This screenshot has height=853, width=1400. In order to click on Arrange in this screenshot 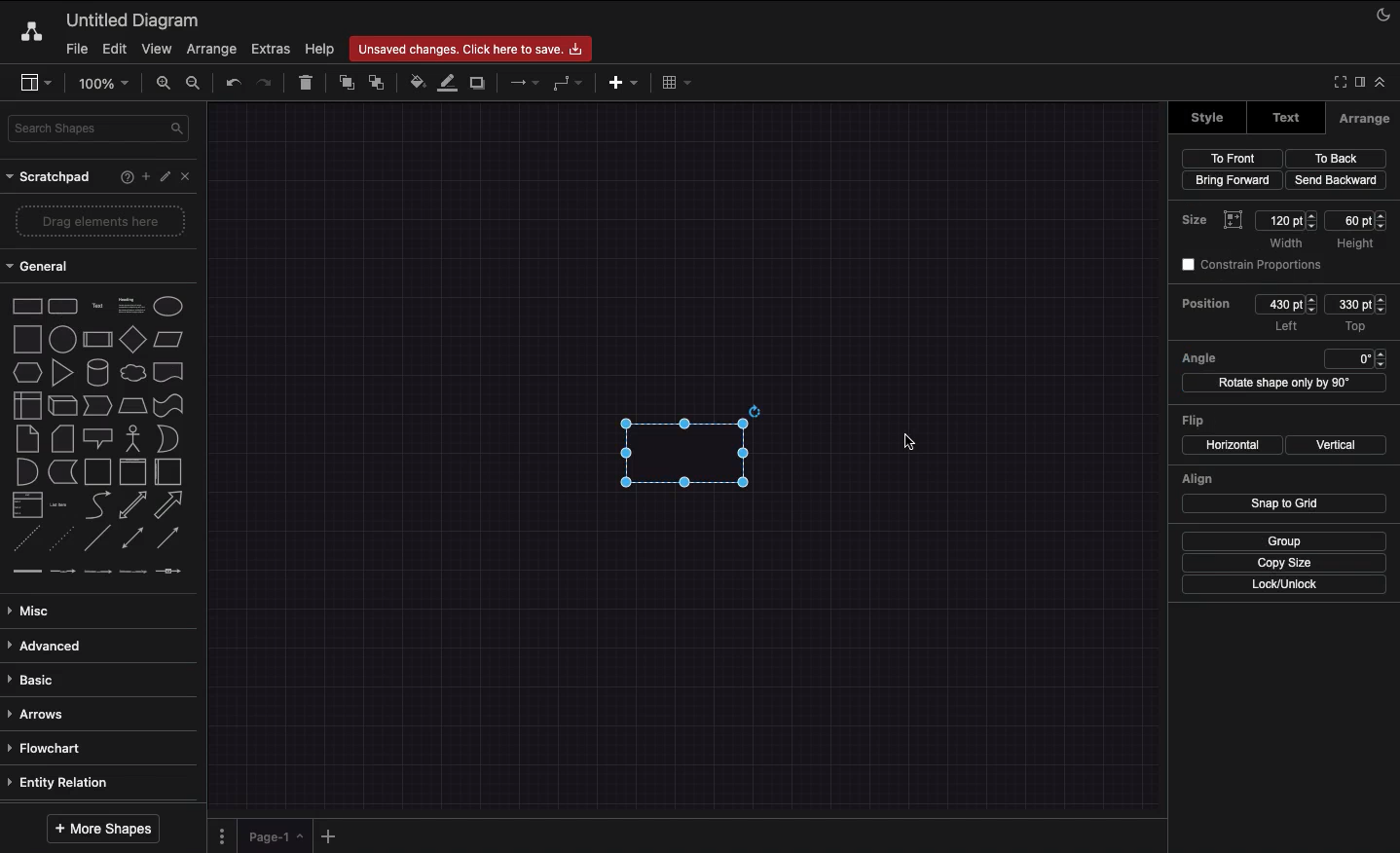, I will do `click(210, 49)`.